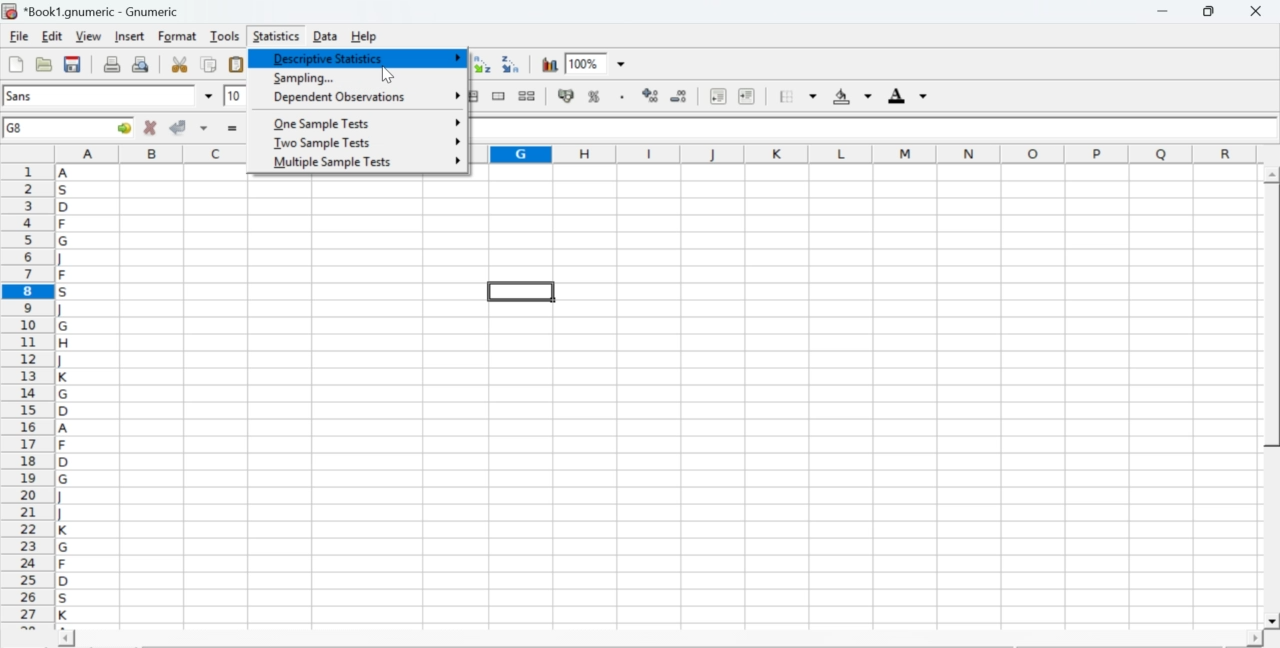  I want to click on sum in current cell, so click(427, 63).